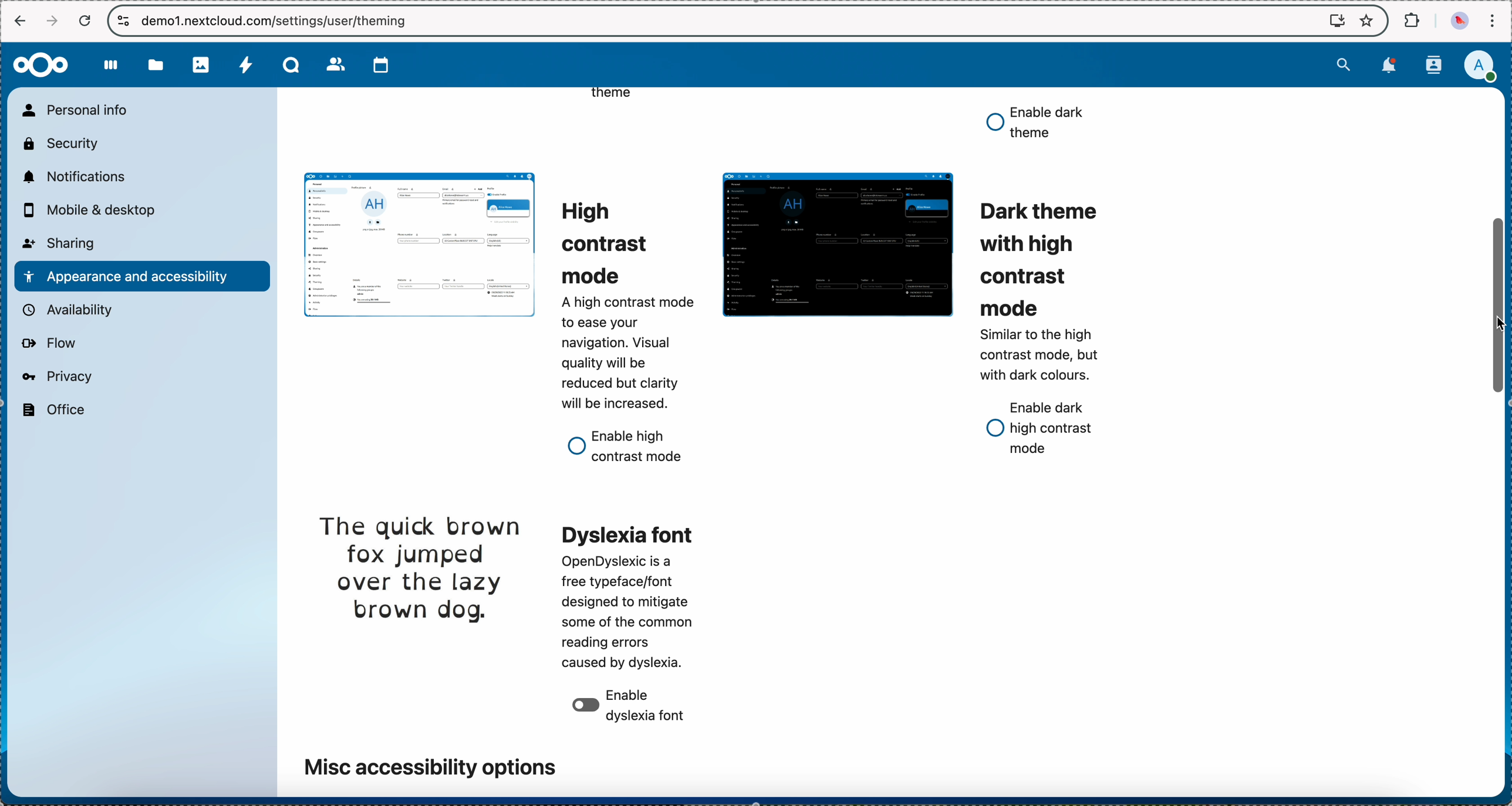 This screenshot has height=806, width=1512. What do you see at coordinates (157, 69) in the screenshot?
I see `files` at bounding box center [157, 69].